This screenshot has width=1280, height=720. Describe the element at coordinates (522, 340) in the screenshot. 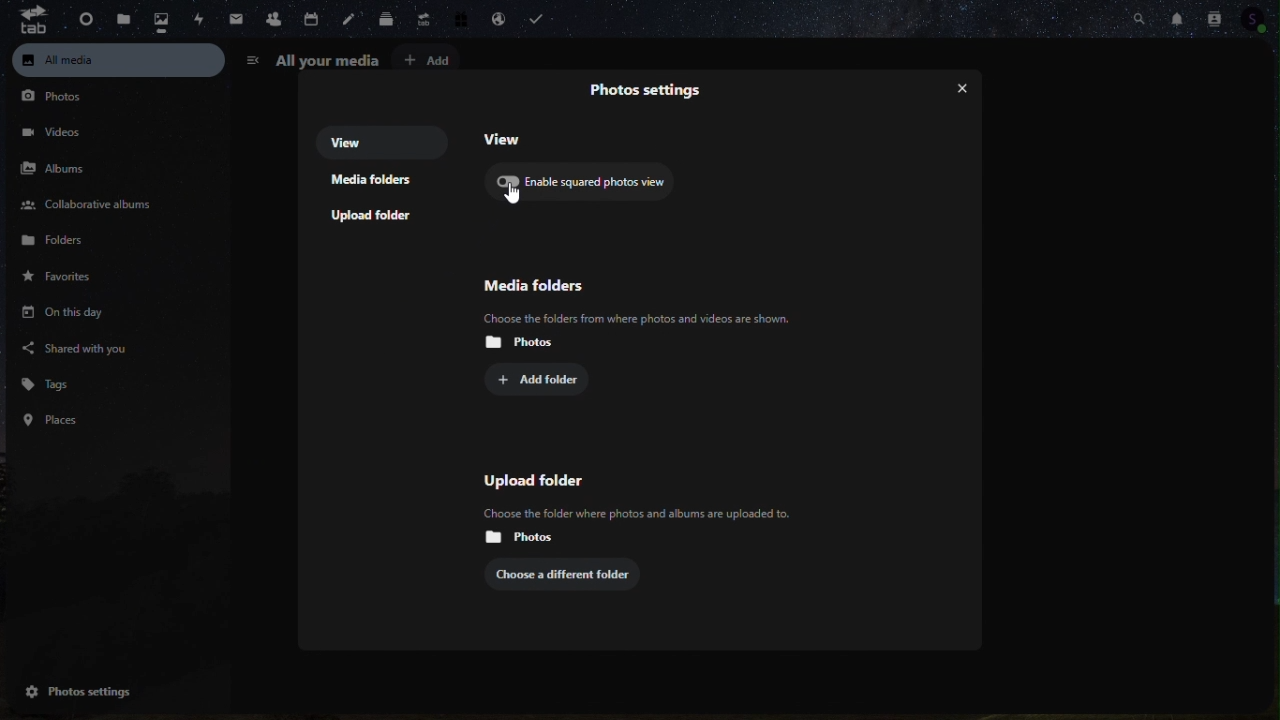

I see `Photos` at that location.